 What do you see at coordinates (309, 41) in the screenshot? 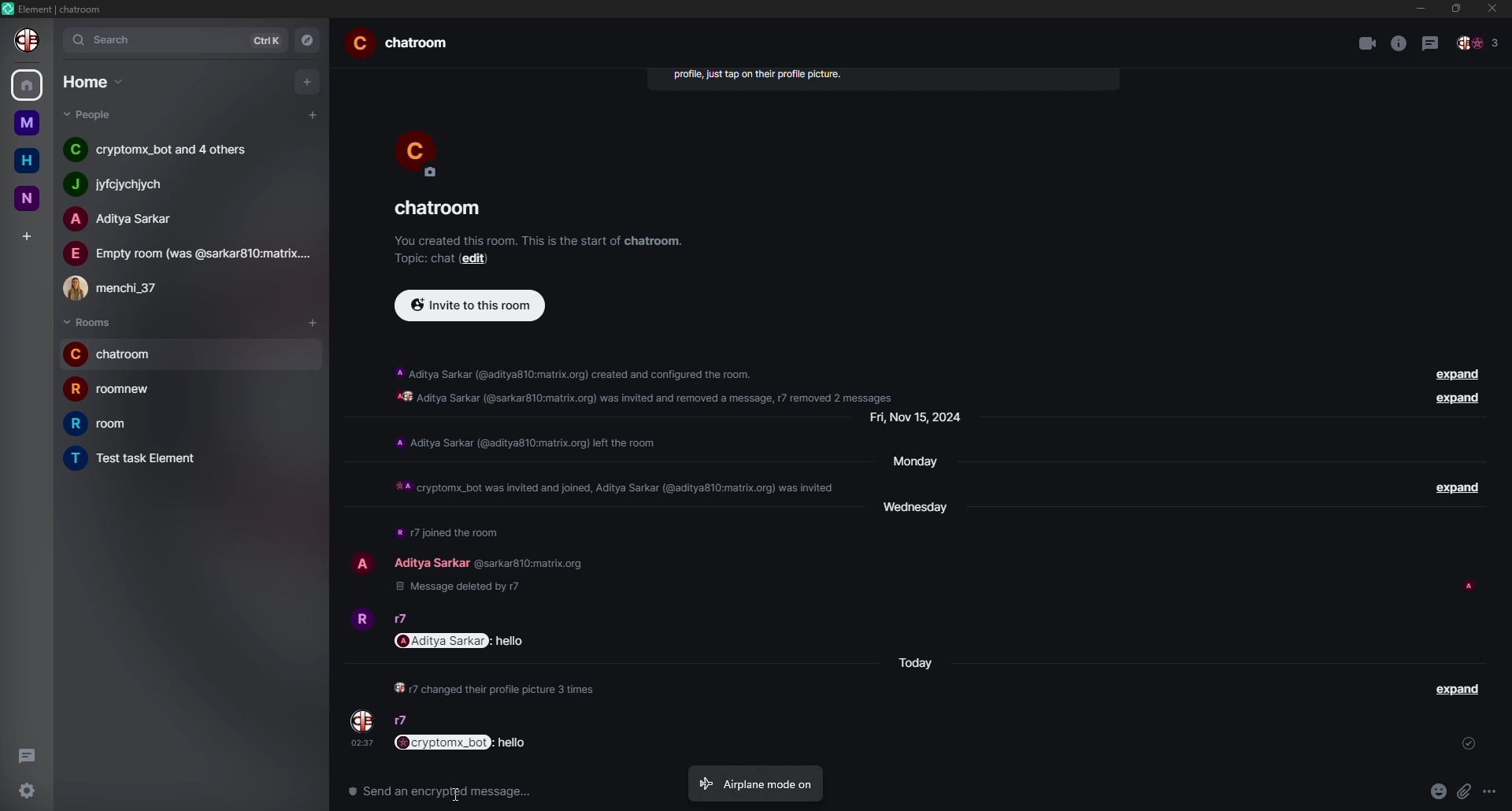
I see `navigator` at bounding box center [309, 41].